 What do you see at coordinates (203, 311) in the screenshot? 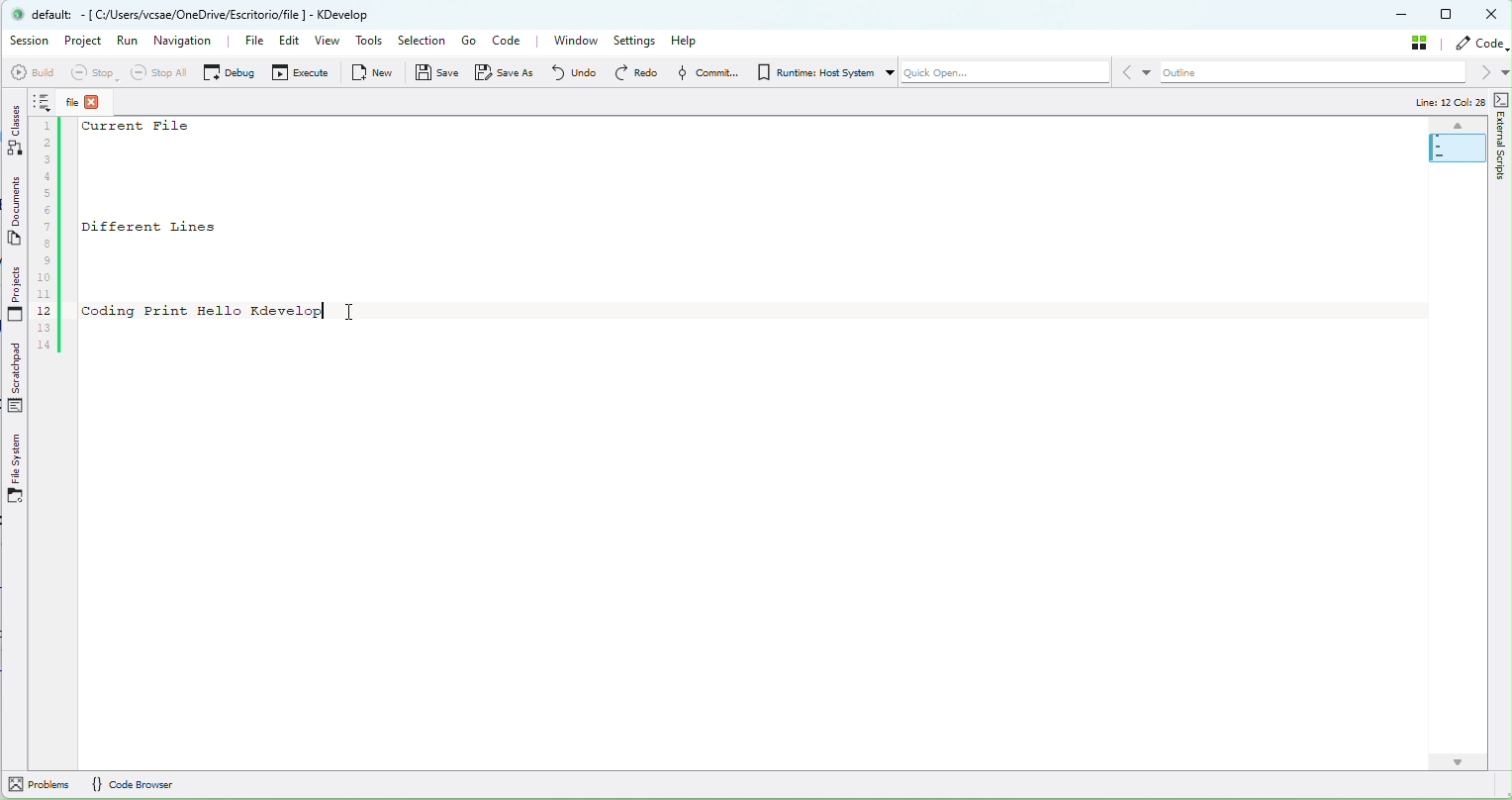
I see `Coding Print Hello Kdevelop` at bounding box center [203, 311].